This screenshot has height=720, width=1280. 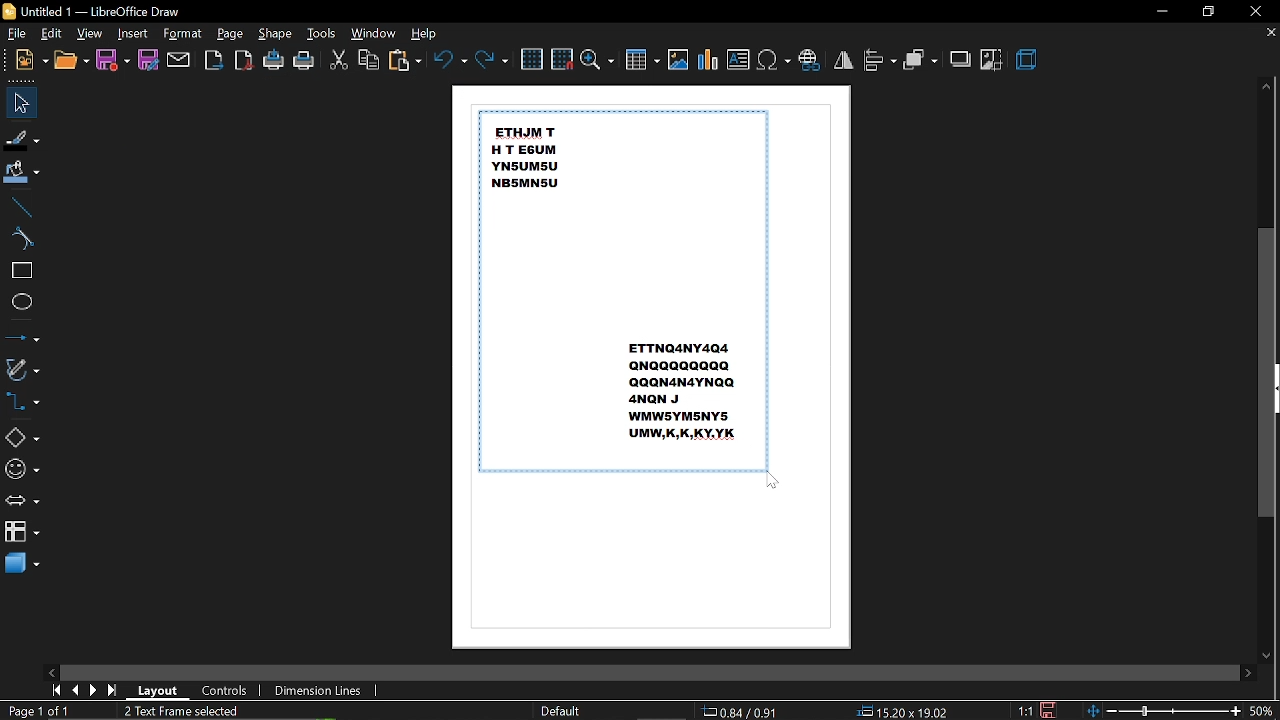 What do you see at coordinates (26, 404) in the screenshot?
I see `connector` at bounding box center [26, 404].